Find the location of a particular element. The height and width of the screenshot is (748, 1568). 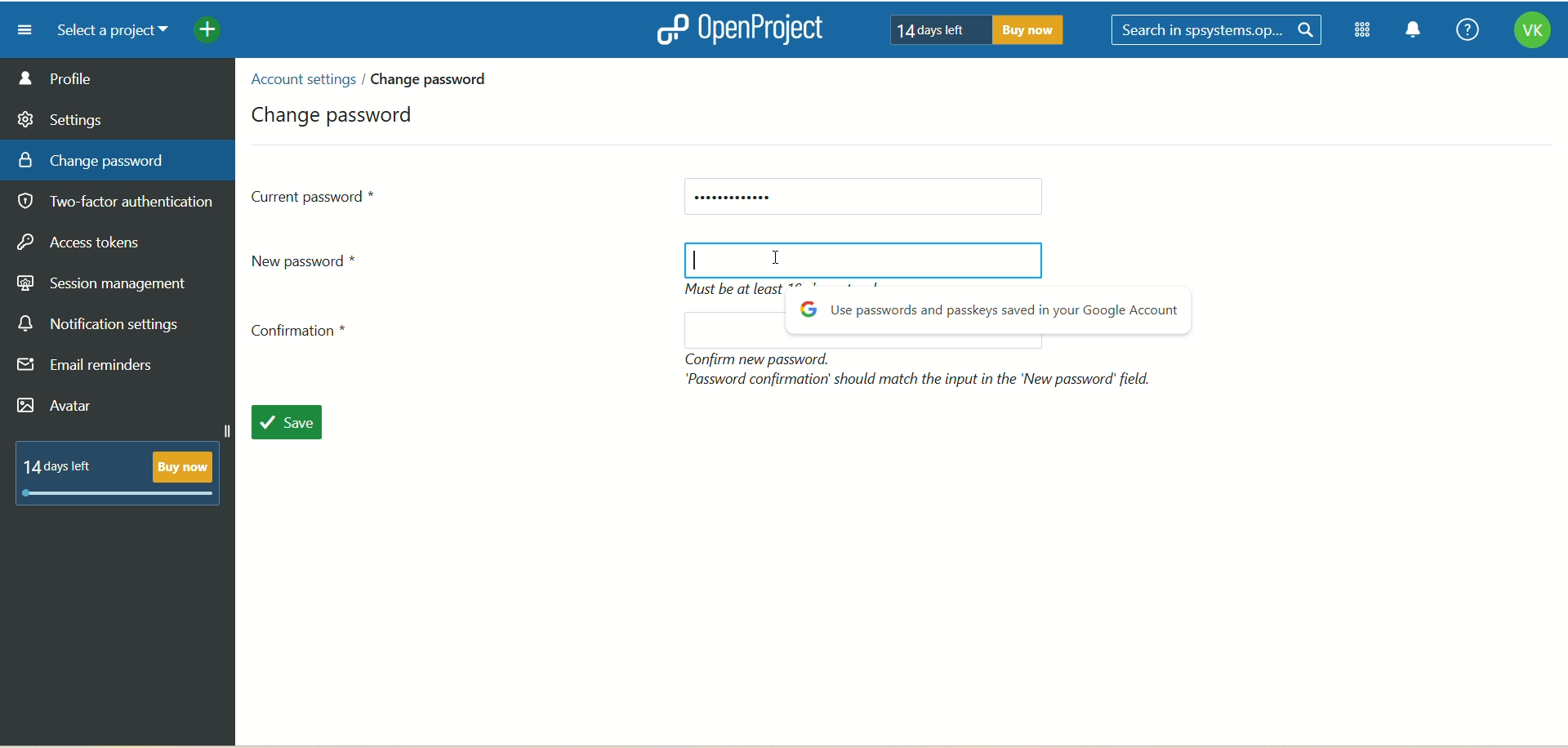

text is located at coordinates (125, 470).